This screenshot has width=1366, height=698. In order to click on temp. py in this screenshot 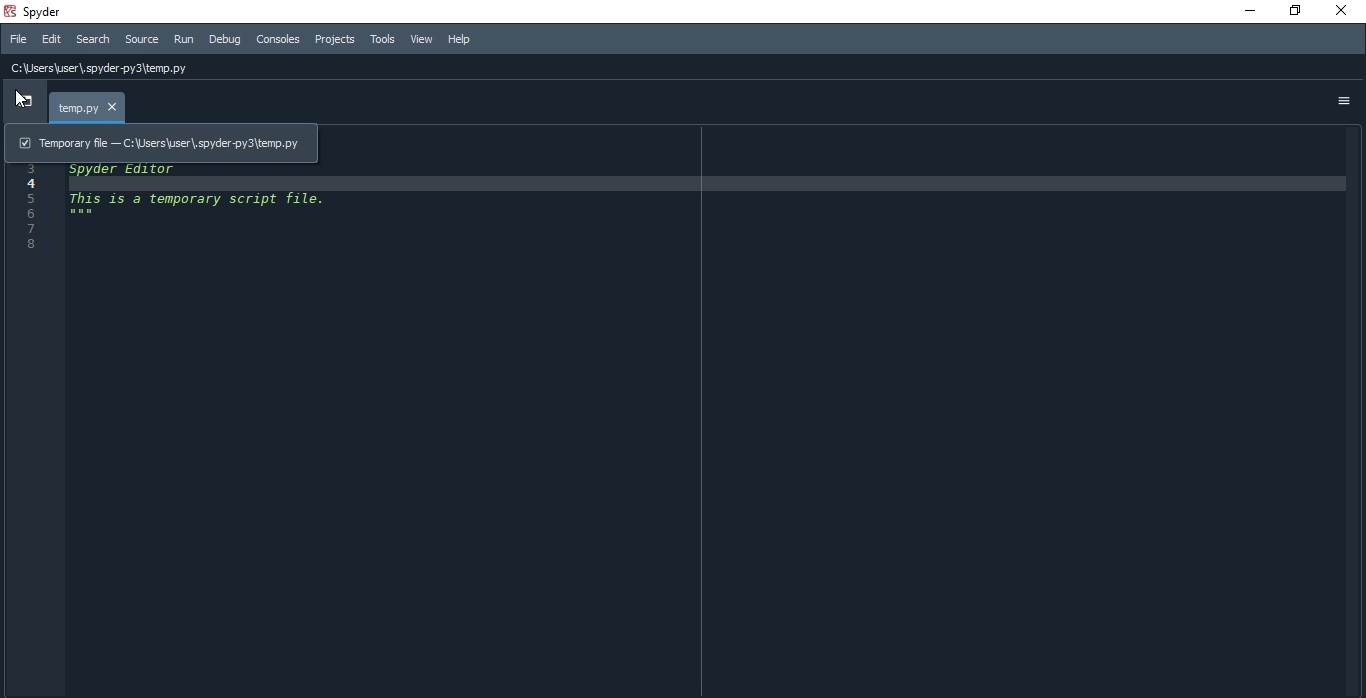, I will do `click(90, 108)`.